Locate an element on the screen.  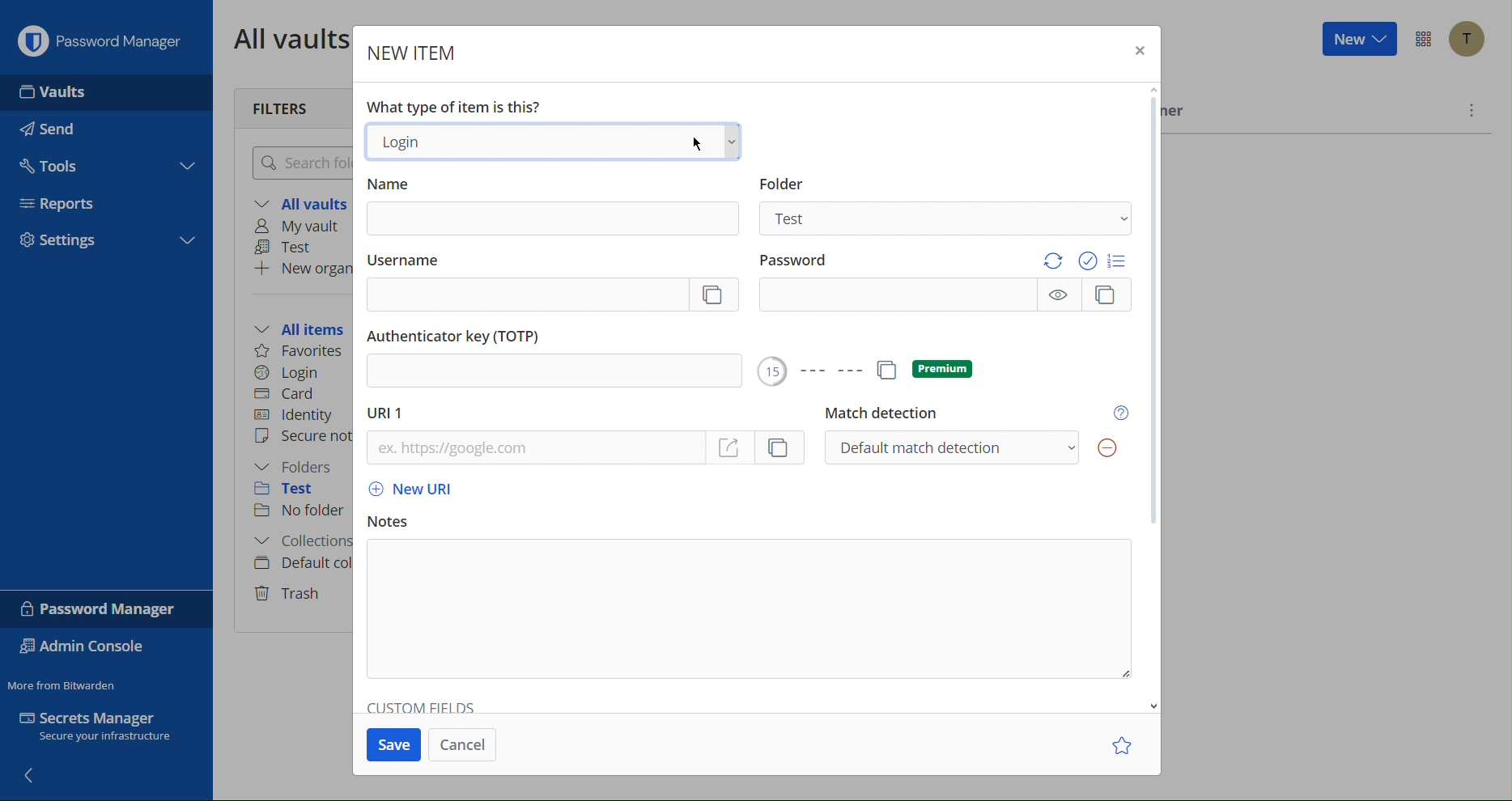
Send is located at coordinates (54, 131).